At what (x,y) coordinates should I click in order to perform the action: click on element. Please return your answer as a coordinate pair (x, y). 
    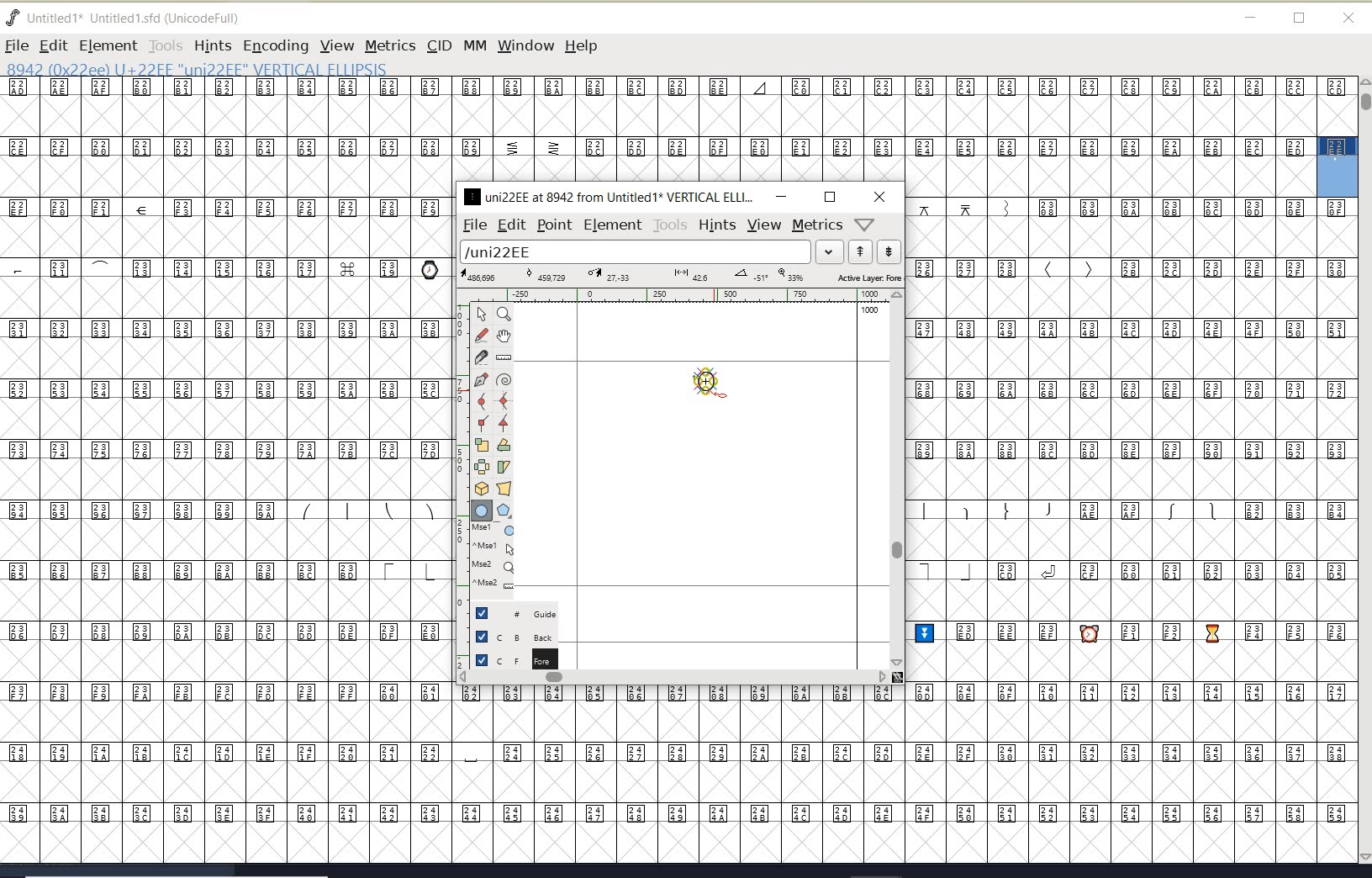
    Looking at the image, I should click on (613, 225).